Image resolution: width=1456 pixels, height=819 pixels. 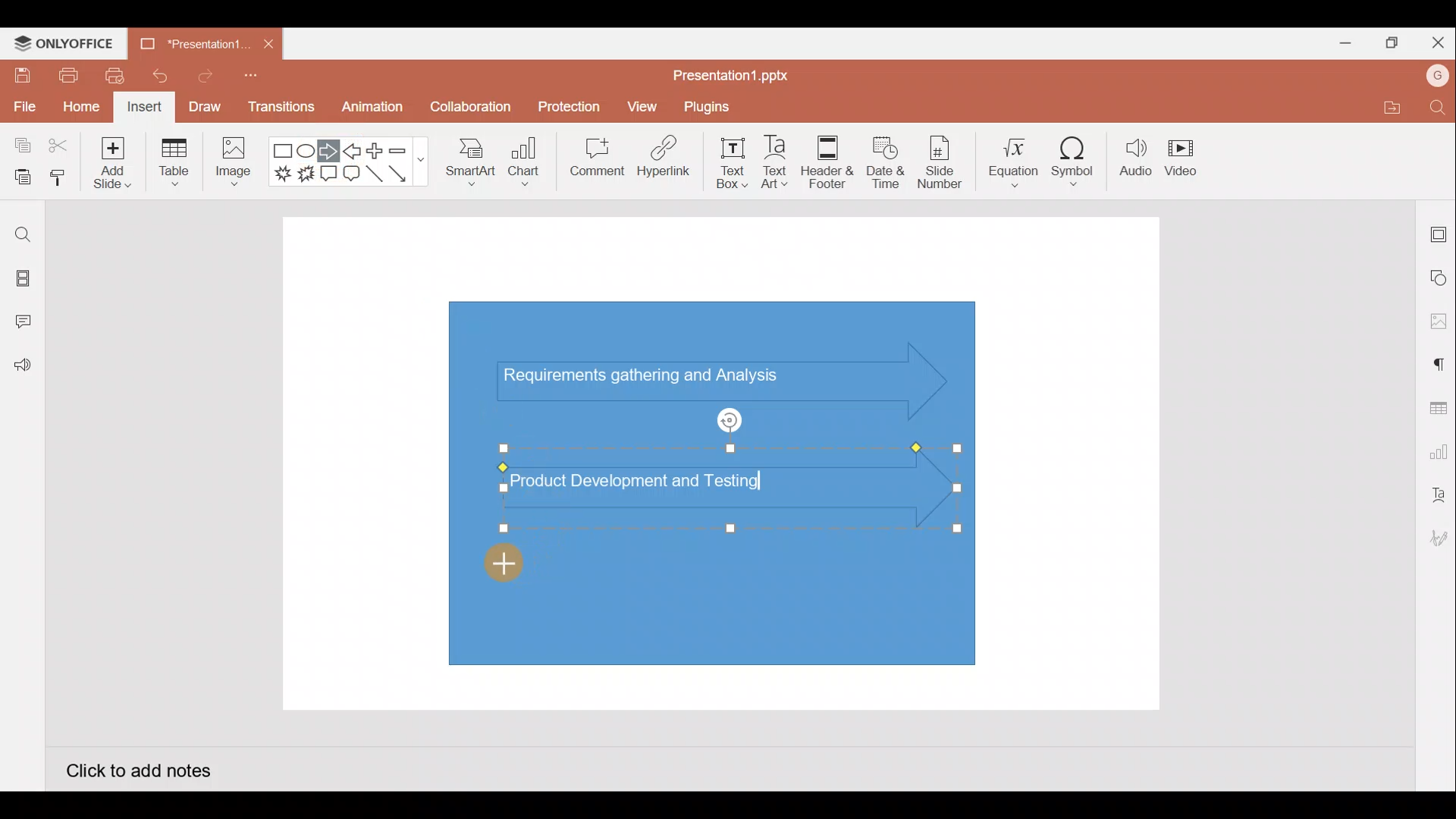 What do you see at coordinates (733, 163) in the screenshot?
I see `Text box` at bounding box center [733, 163].